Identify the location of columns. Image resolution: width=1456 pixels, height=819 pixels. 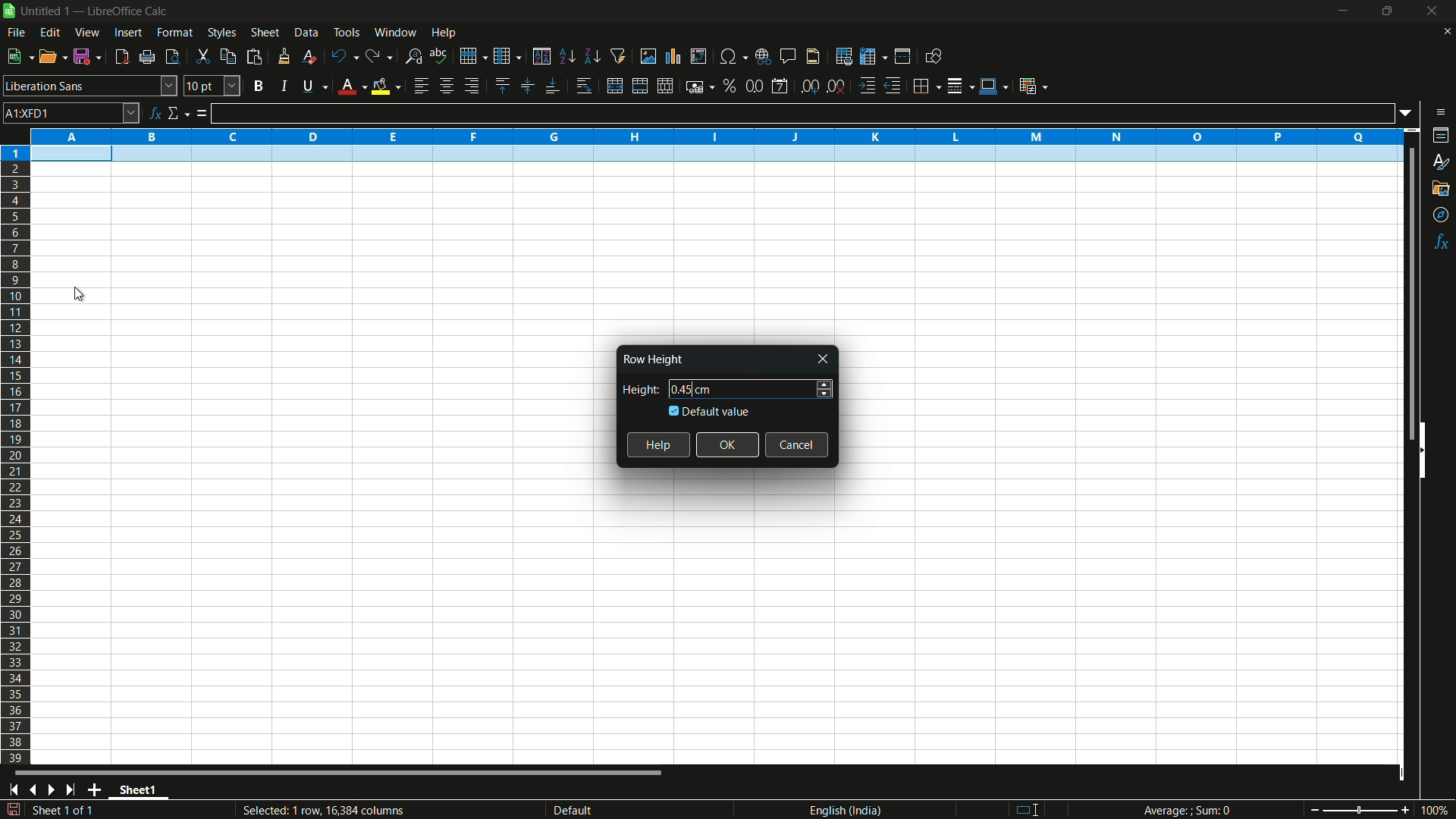
(716, 135).